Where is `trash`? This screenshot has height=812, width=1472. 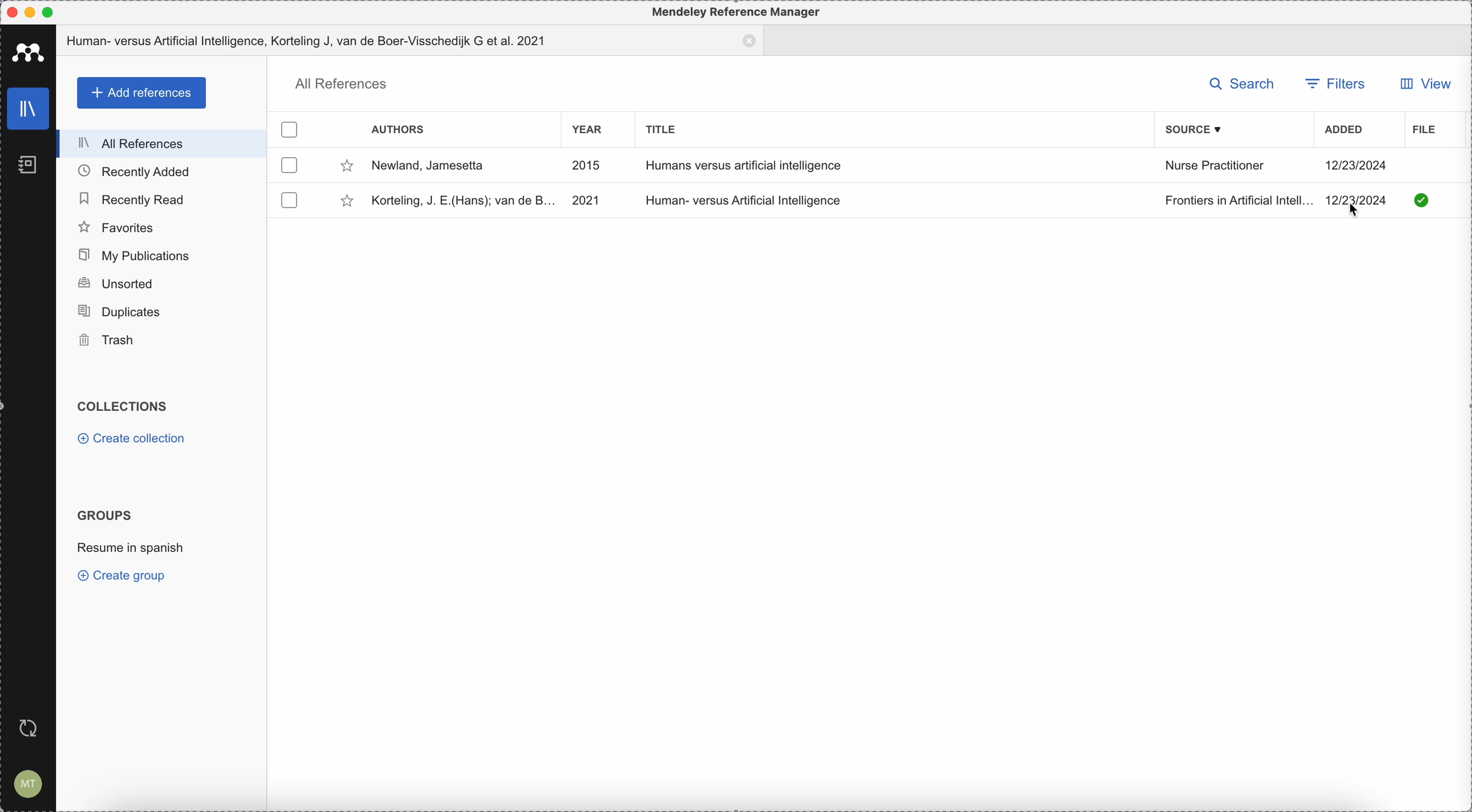 trash is located at coordinates (161, 341).